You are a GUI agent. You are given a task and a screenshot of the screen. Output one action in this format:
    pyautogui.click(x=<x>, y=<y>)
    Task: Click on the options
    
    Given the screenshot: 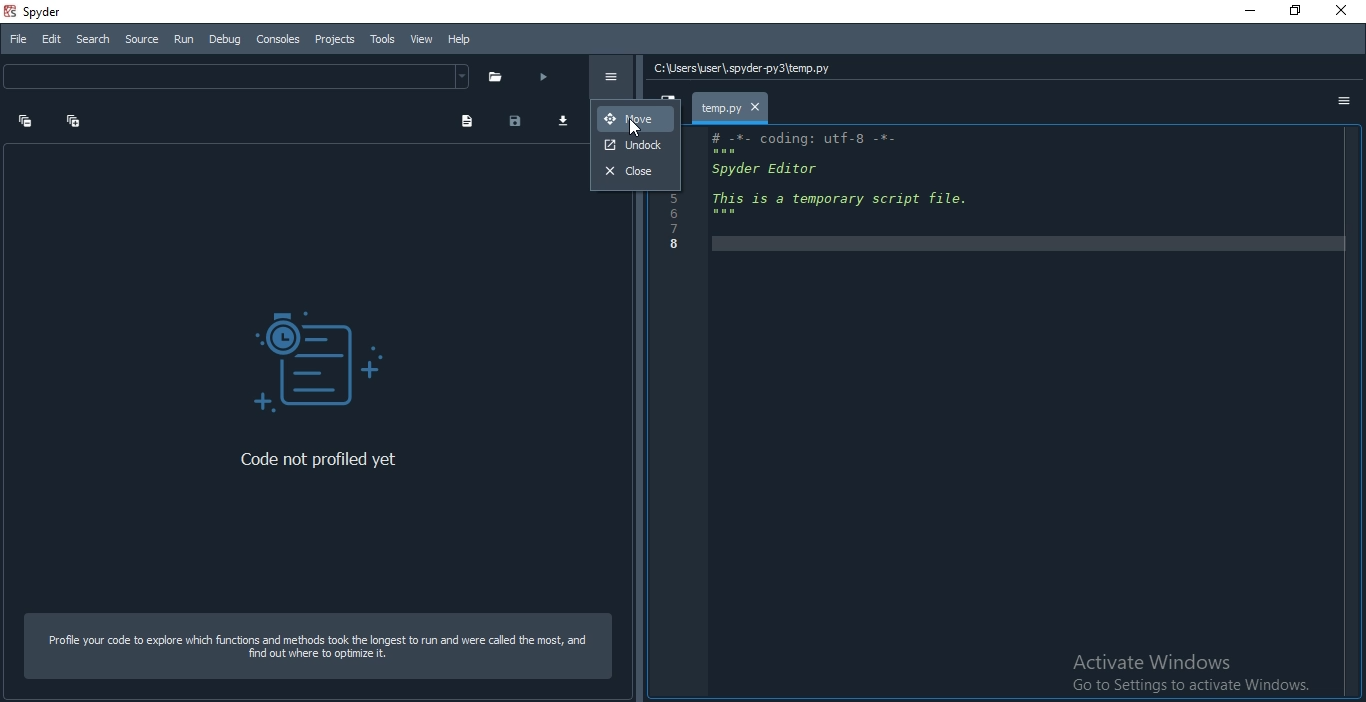 What is the action you would take?
    pyautogui.click(x=1336, y=104)
    